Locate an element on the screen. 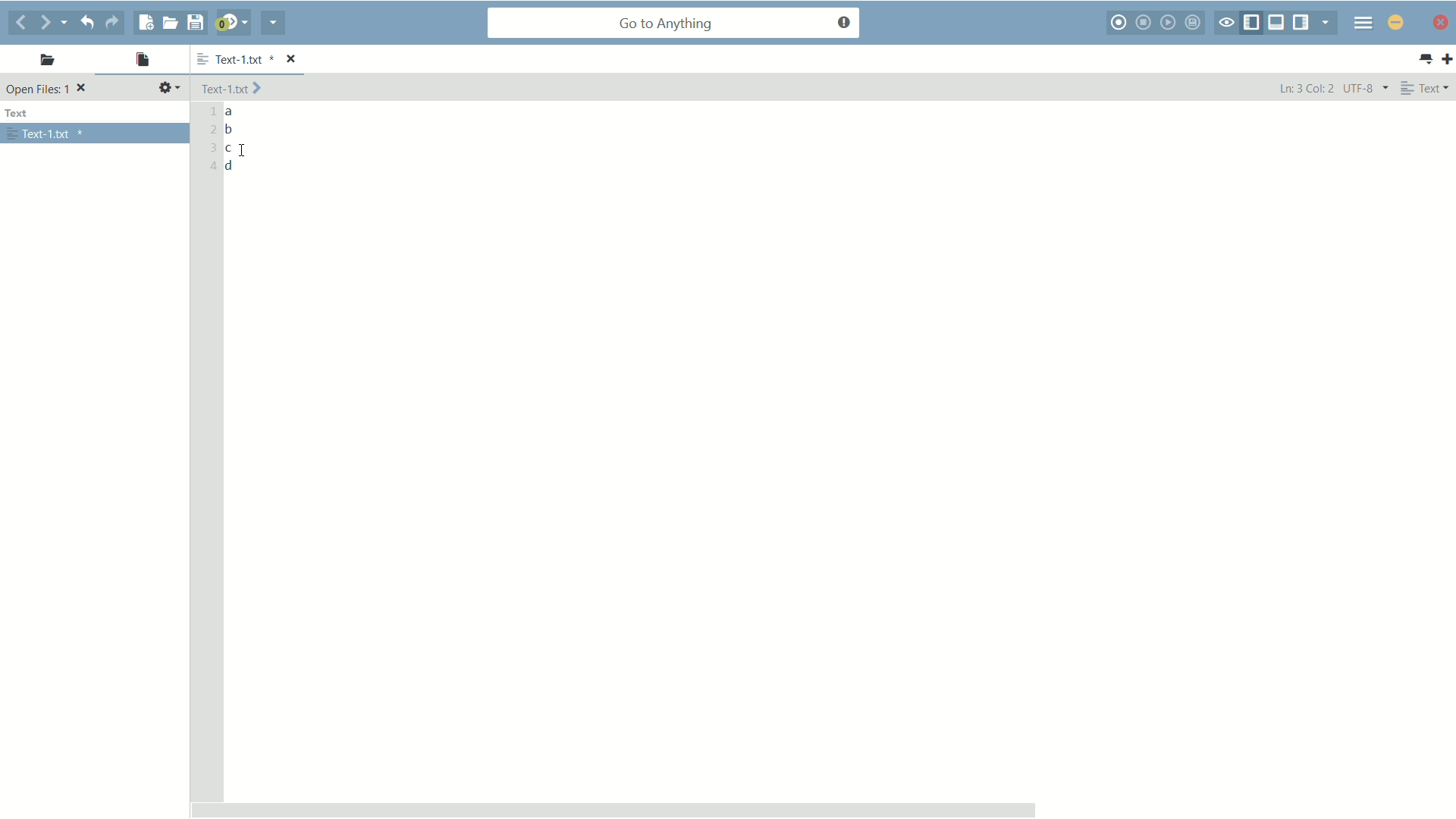  save macros to toolbox is located at coordinates (1194, 22).